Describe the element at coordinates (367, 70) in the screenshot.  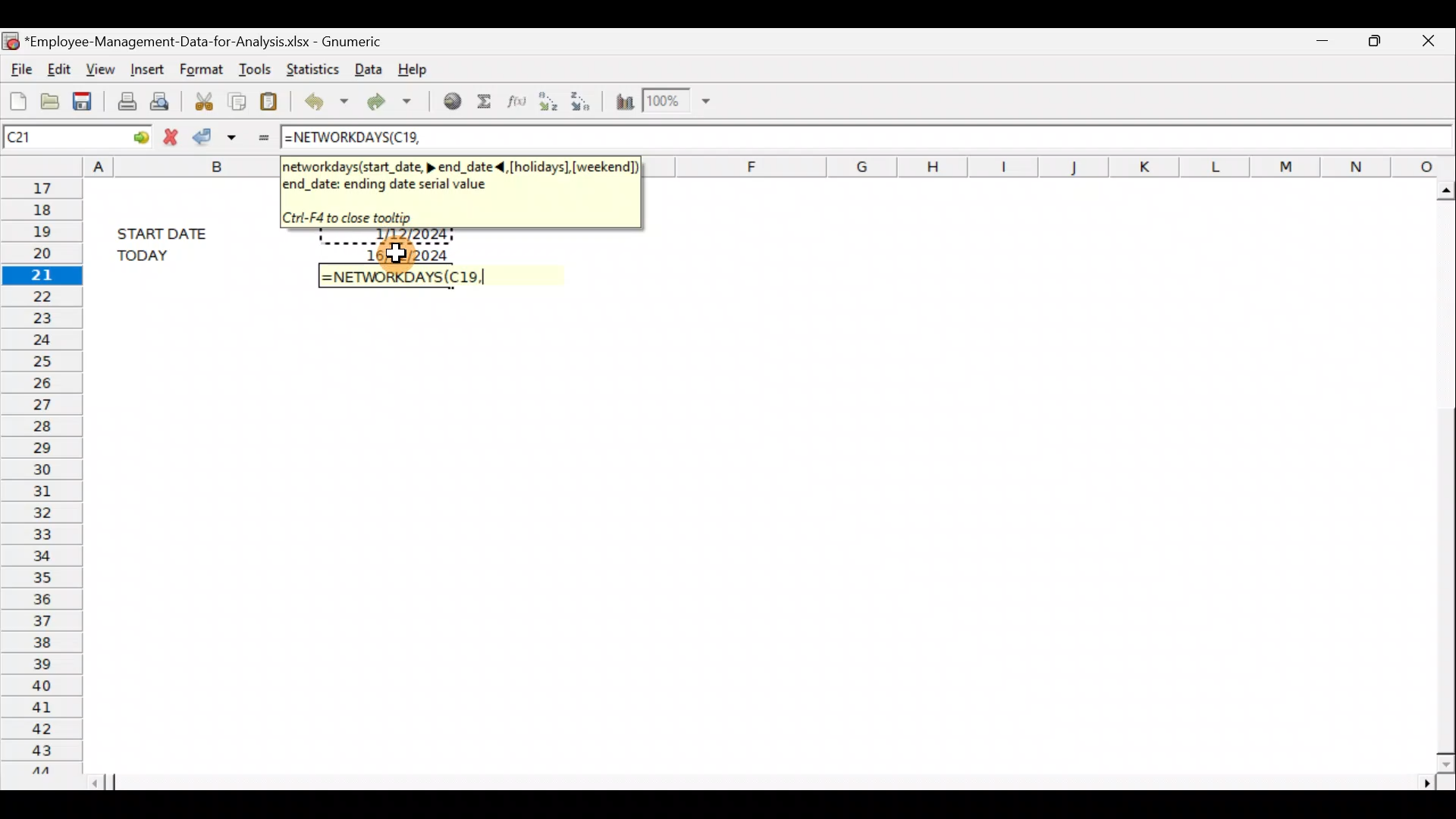
I see `Data` at that location.